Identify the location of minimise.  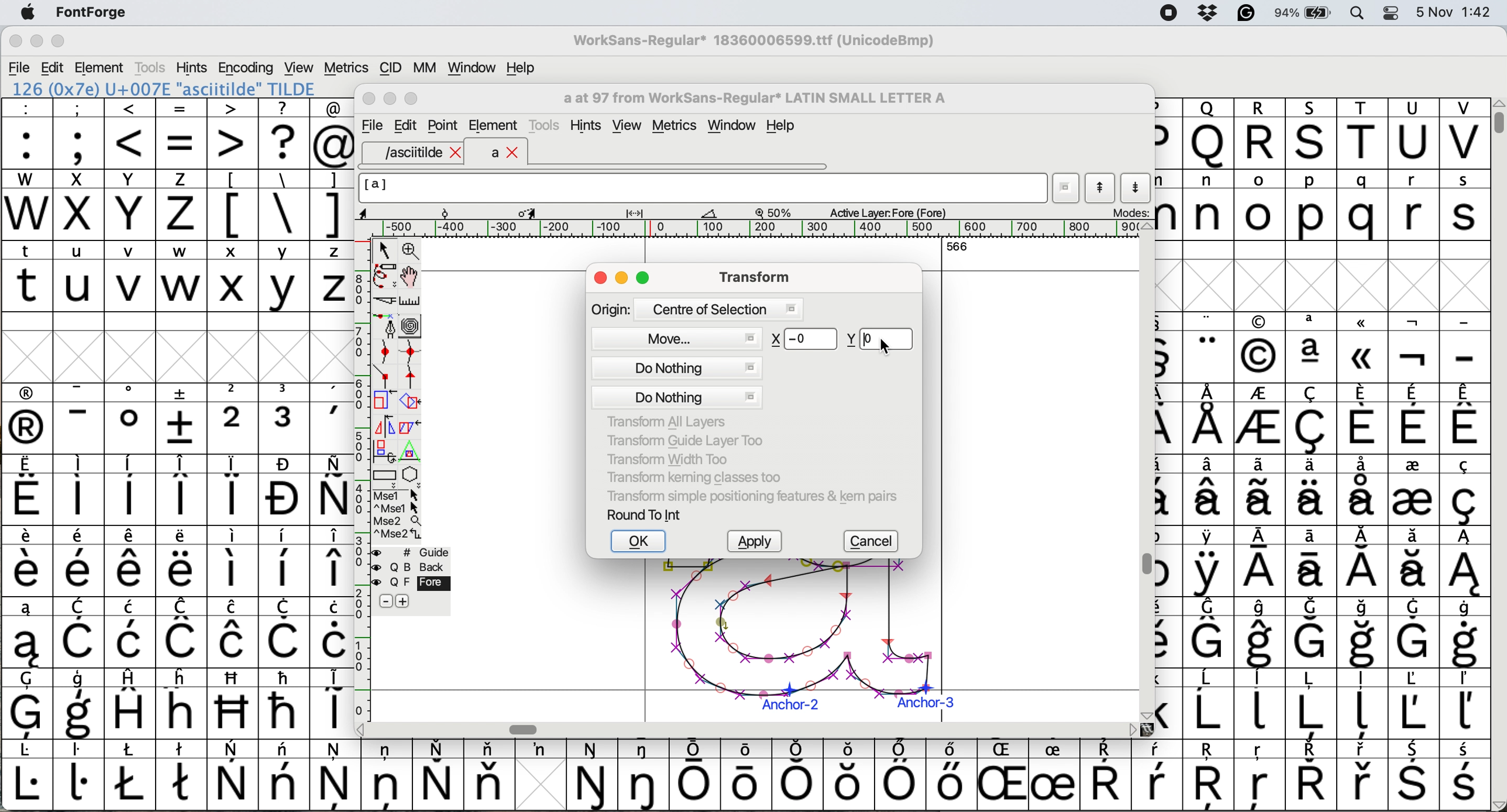
(623, 279).